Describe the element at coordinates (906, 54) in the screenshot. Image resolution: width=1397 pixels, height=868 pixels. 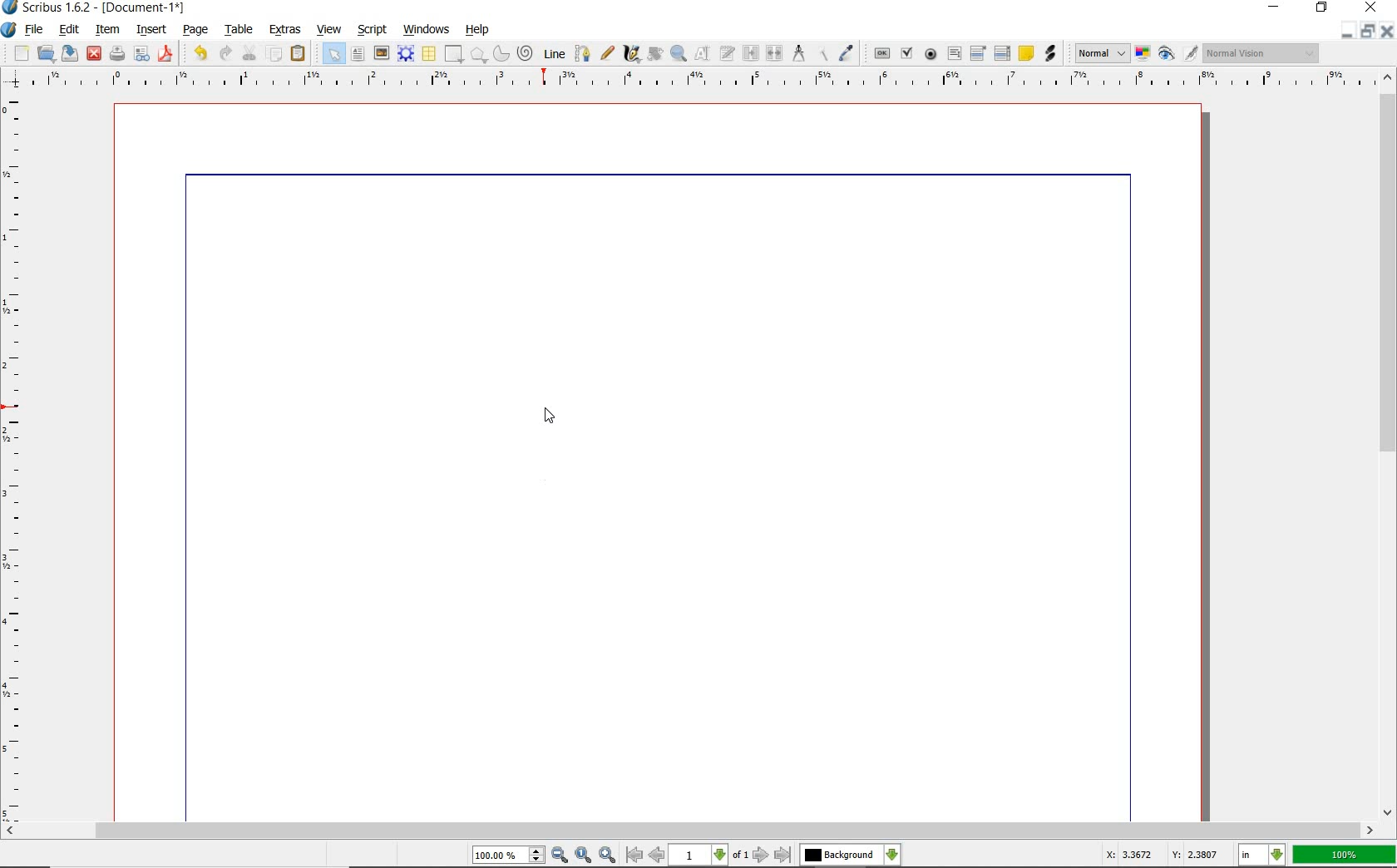
I see `pdf check box` at that location.